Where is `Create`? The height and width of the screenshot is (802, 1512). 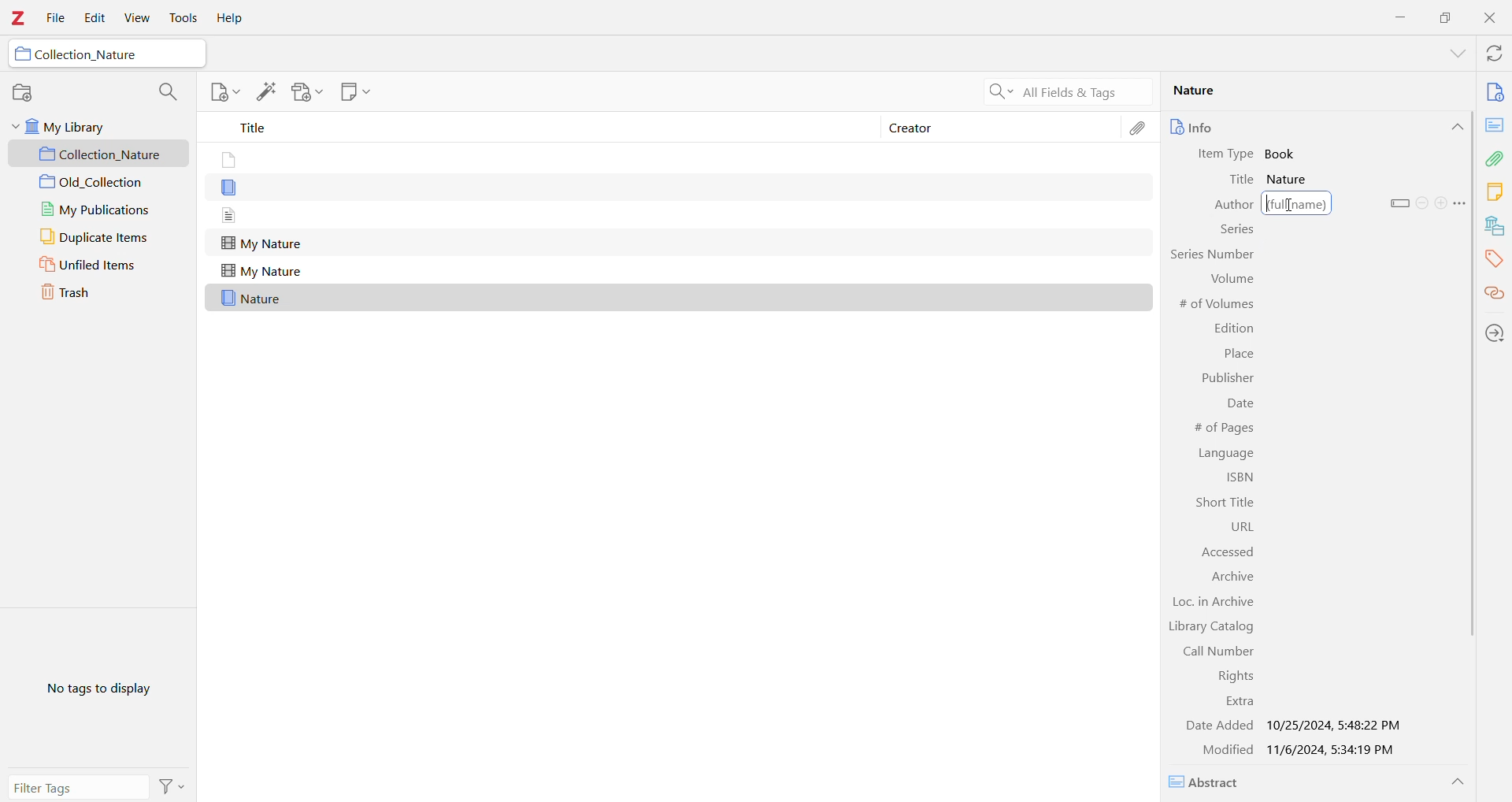 Create is located at coordinates (1440, 202).